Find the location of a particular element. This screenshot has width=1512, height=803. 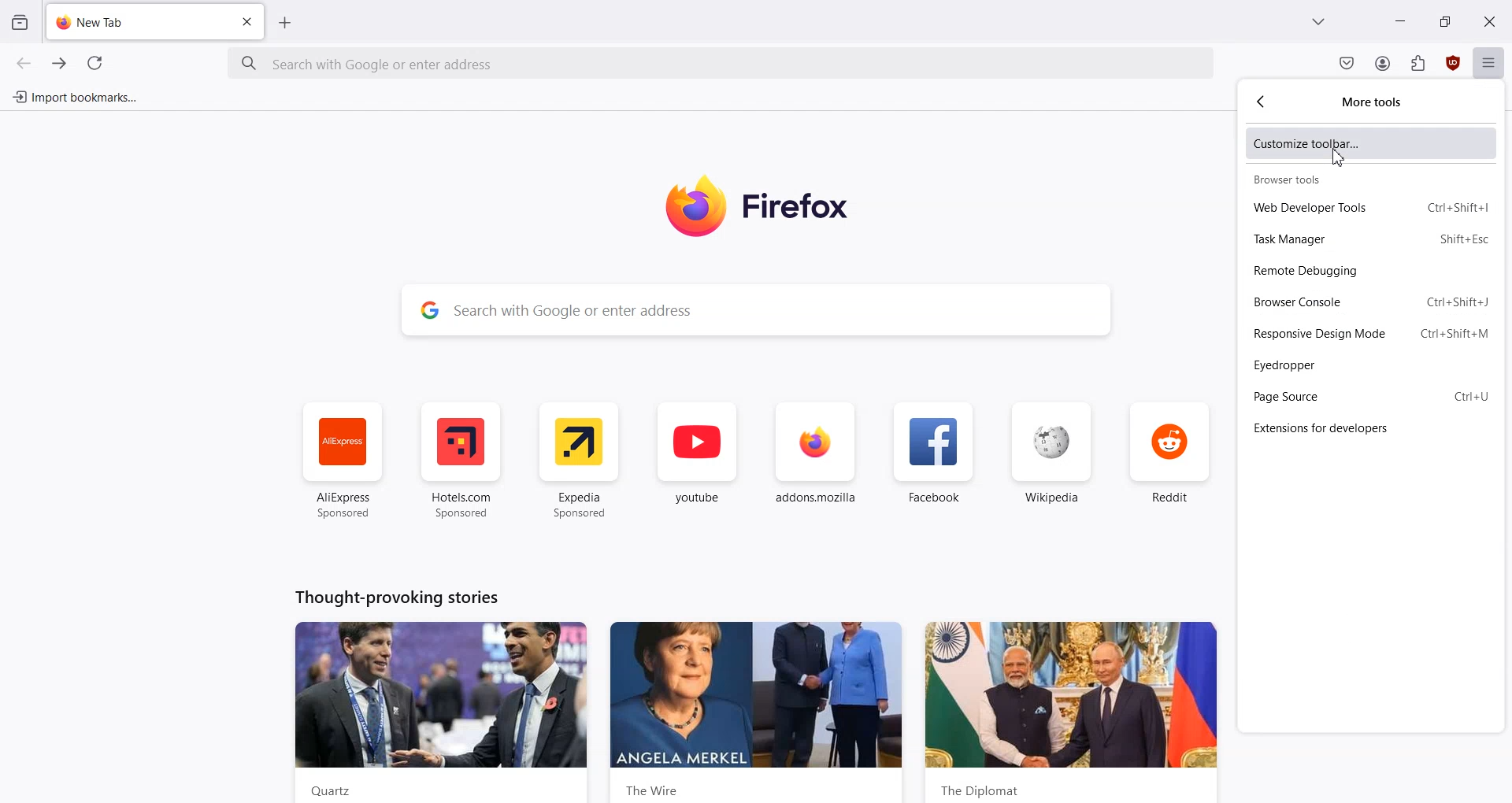

Go Forward one page  is located at coordinates (61, 63).